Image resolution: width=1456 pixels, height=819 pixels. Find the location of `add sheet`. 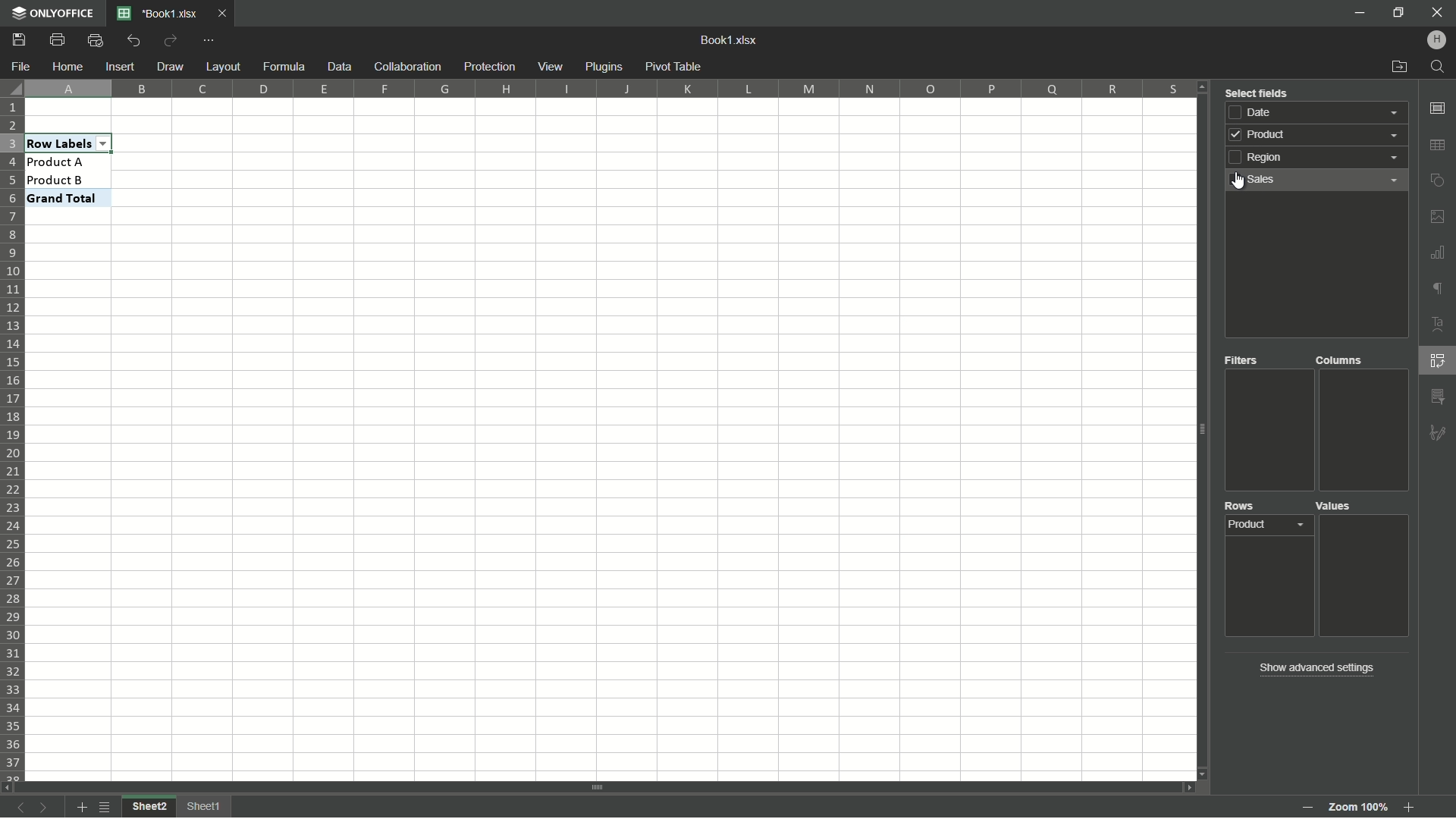

add sheet is located at coordinates (80, 808).